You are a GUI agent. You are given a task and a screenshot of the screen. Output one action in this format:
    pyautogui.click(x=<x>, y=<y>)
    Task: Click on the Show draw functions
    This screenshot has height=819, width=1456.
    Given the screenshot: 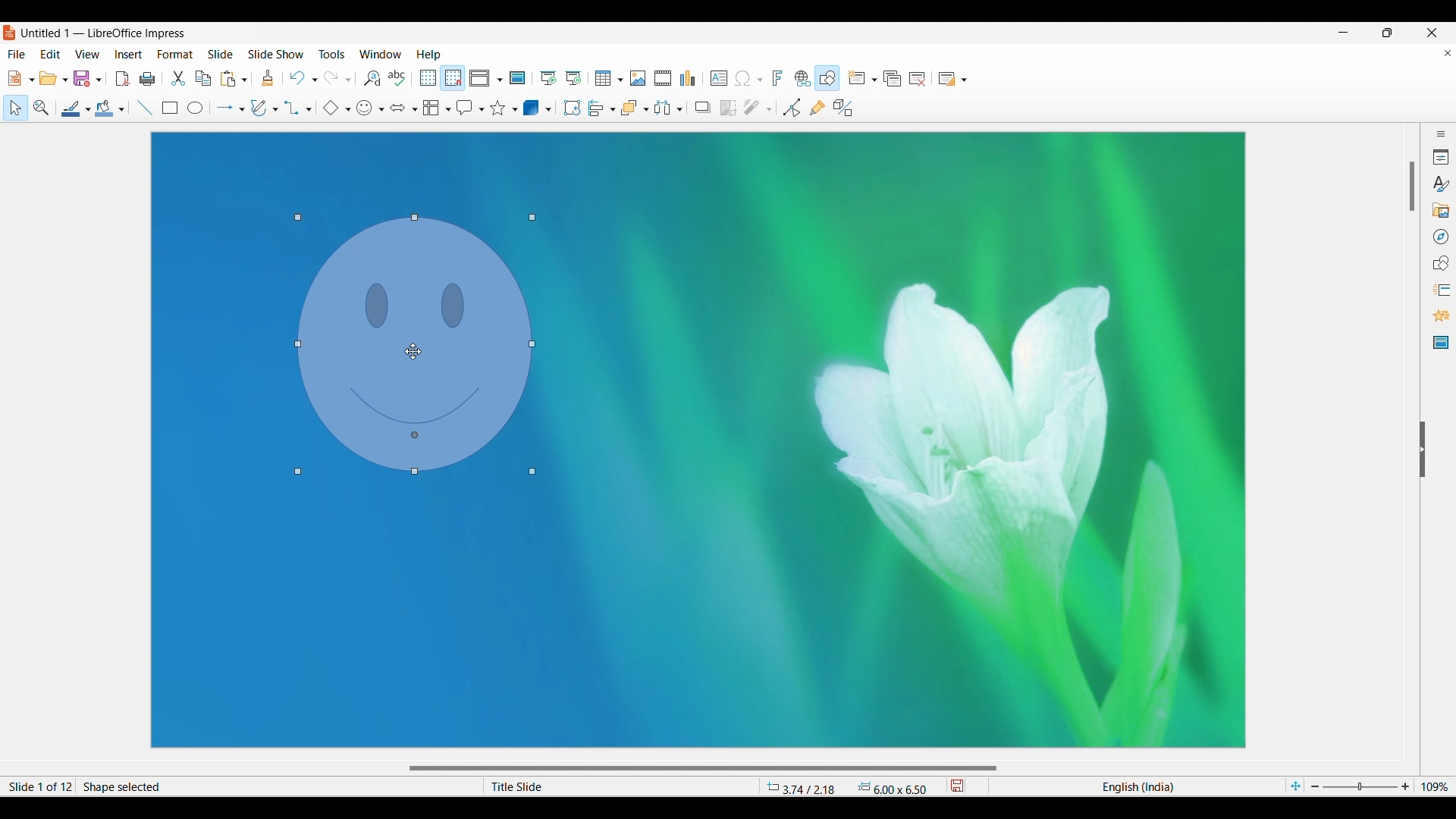 What is the action you would take?
    pyautogui.click(x=827, y=78)
    